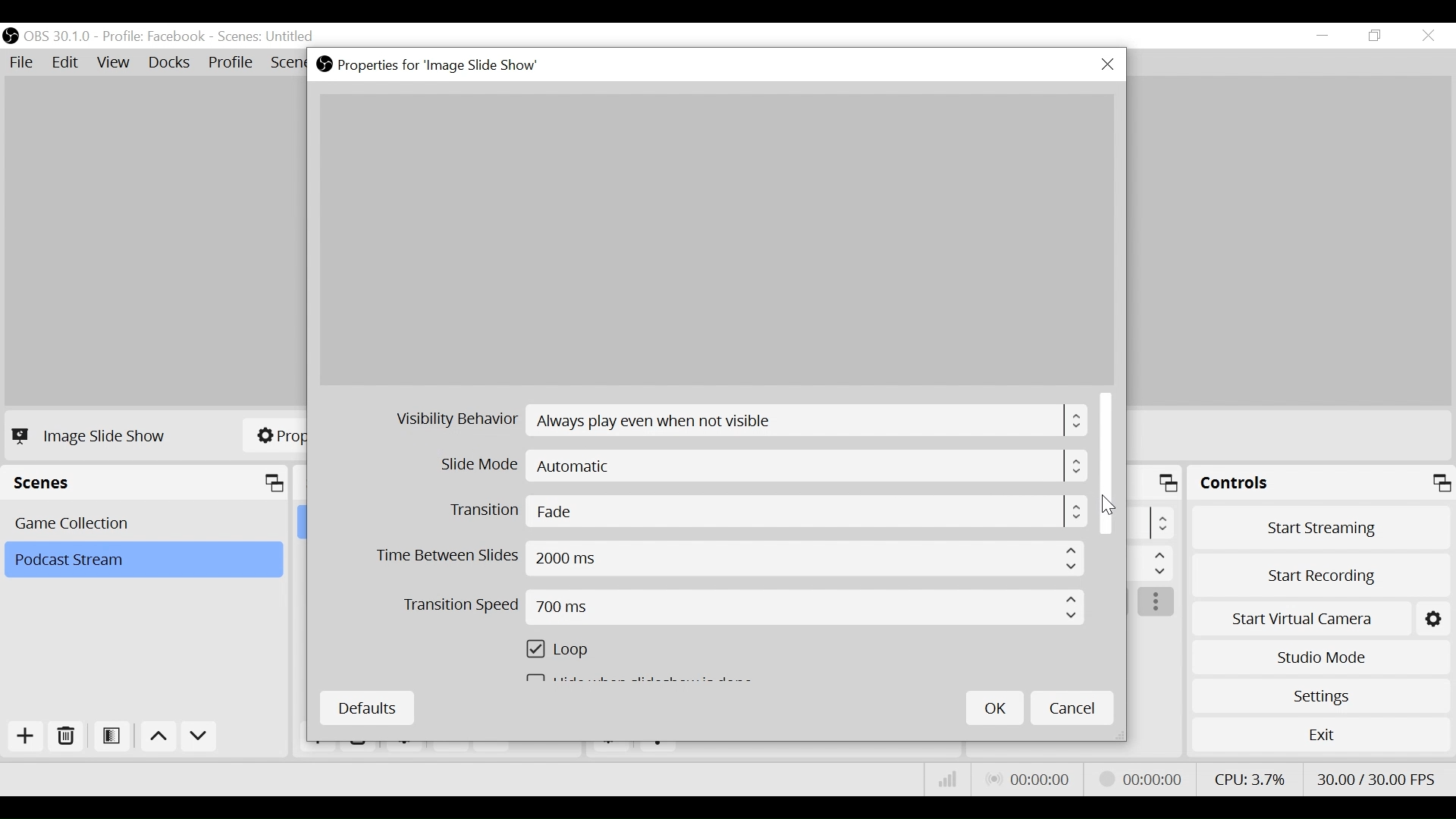 This screenshot has height=819, width=1456. I want to click on OK, so click(995, 708).